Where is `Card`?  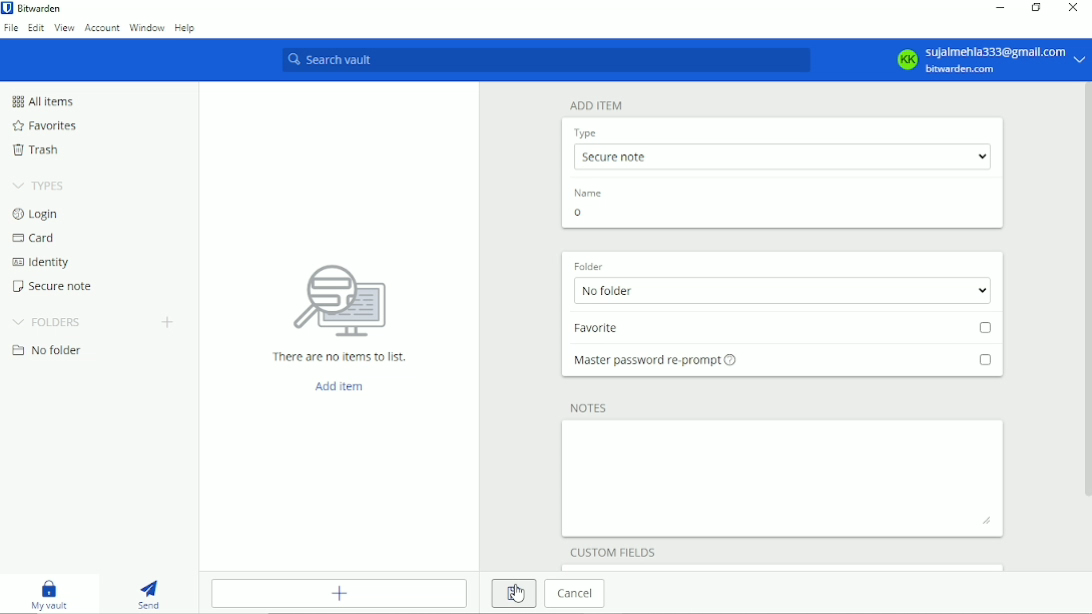 Card is located at coordinates (33, 239).